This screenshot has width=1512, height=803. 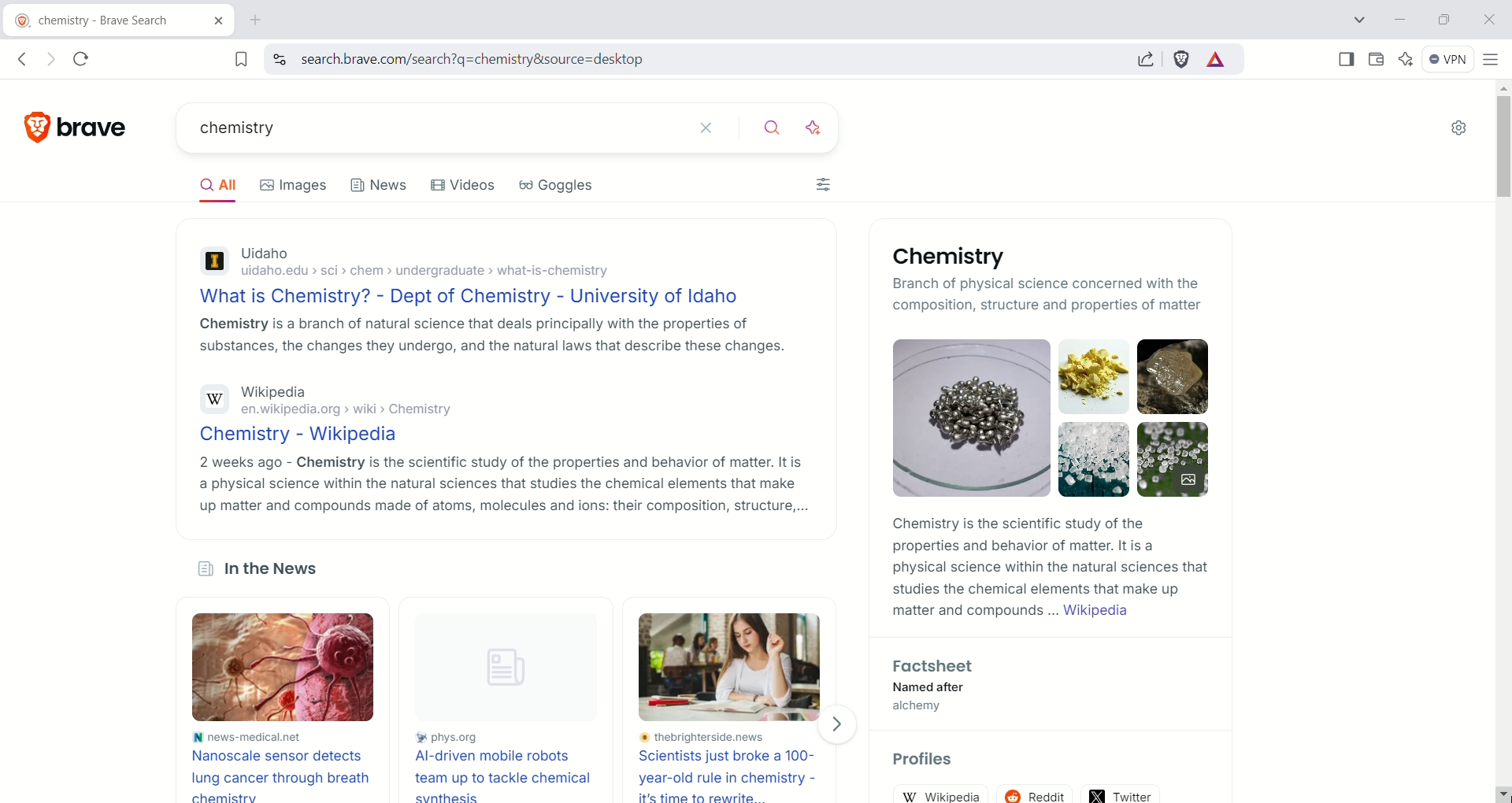 I want to click on share this page, so click(x=1146, y=58).